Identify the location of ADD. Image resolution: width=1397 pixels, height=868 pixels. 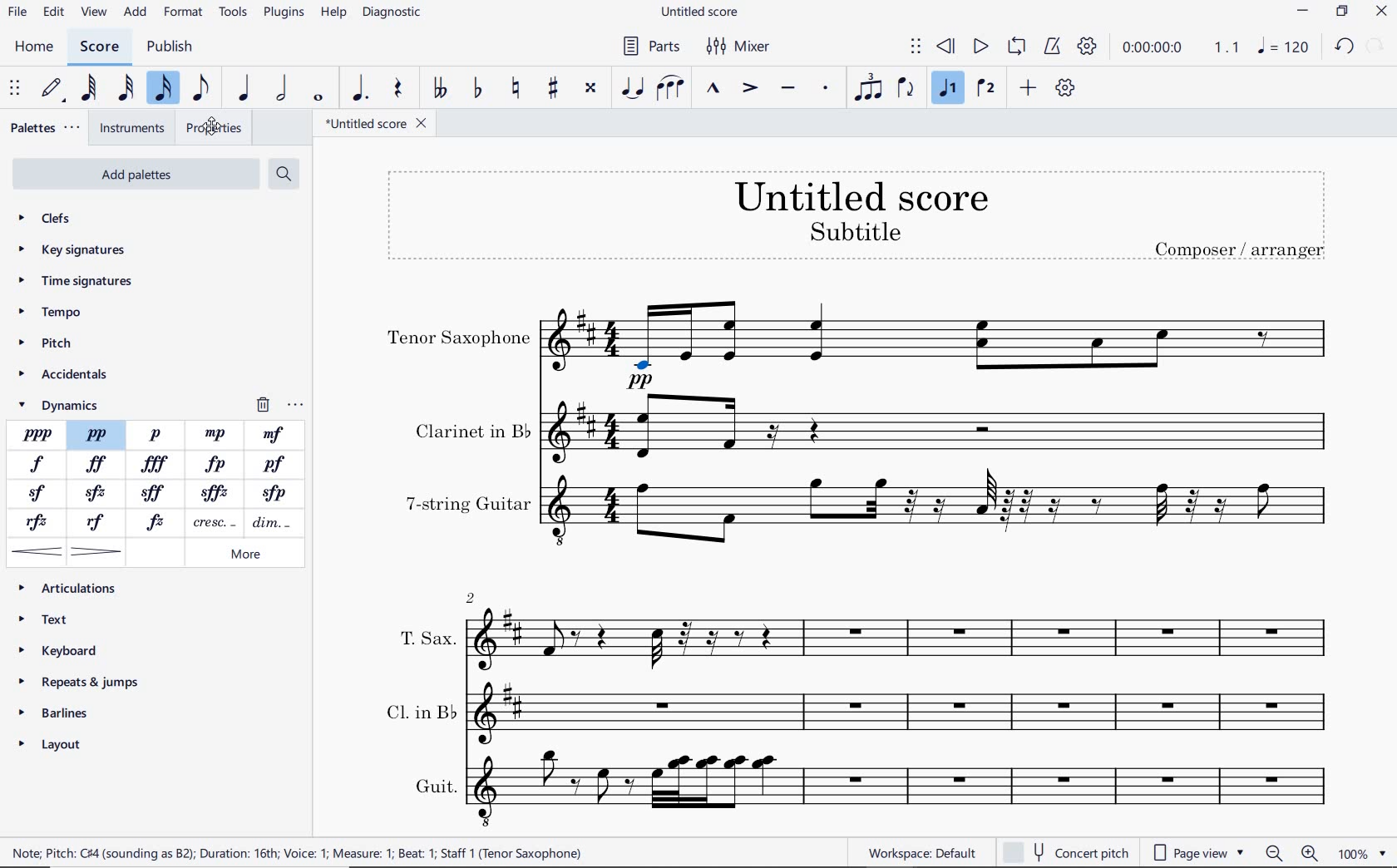
(1029, 86).